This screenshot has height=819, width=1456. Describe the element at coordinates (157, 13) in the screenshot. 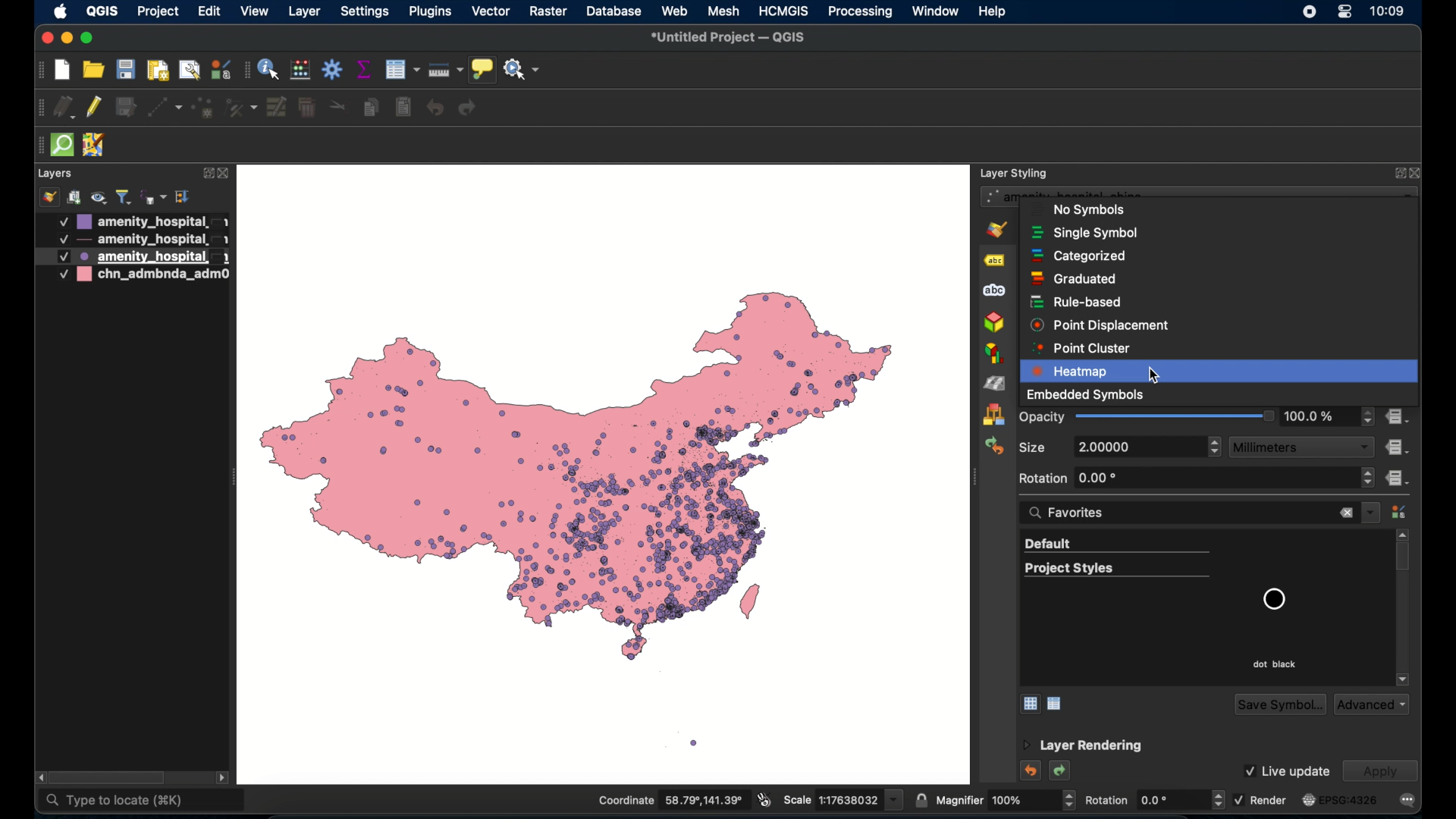

I see `project` at that location.